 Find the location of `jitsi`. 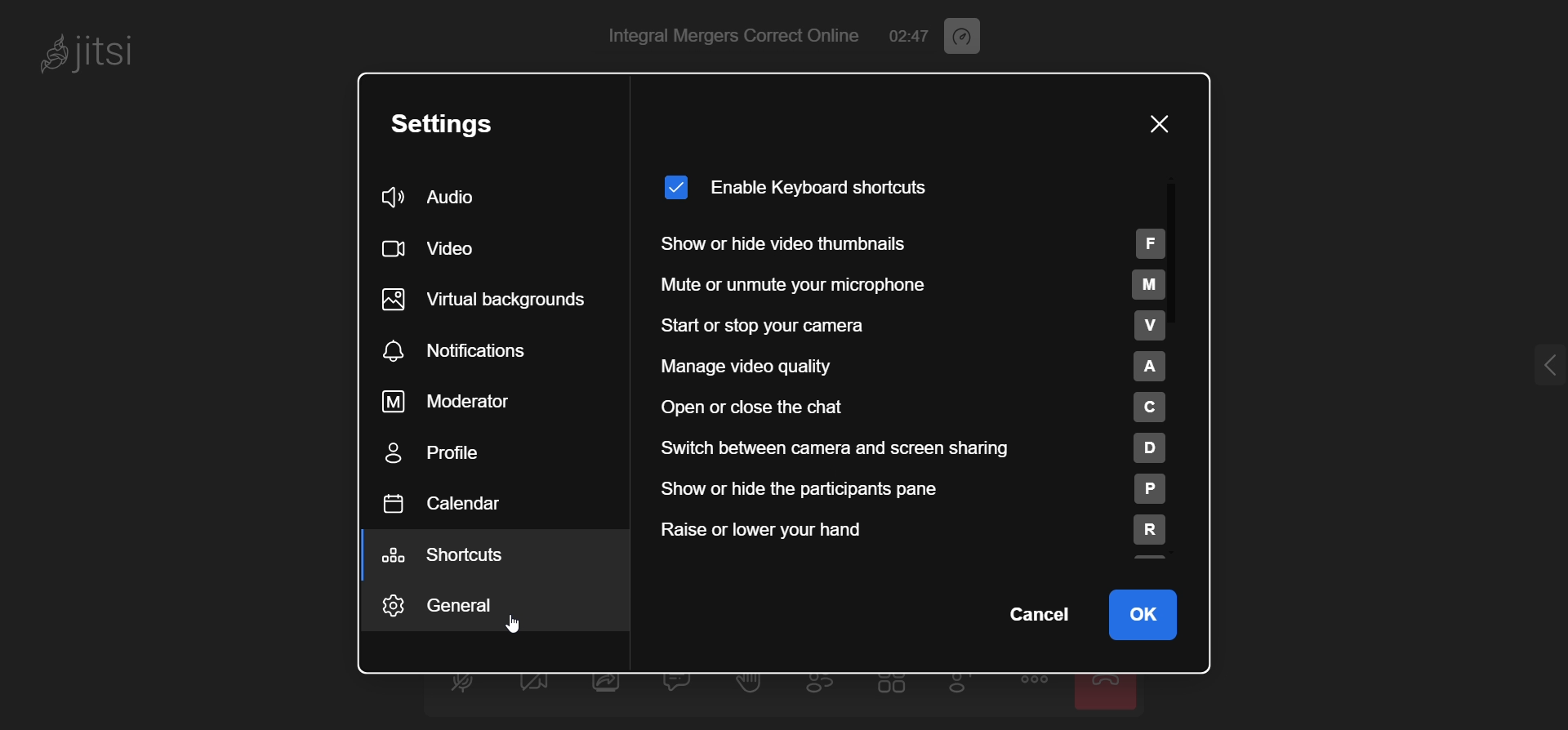

jitsi is located at coordinates (114, 60).